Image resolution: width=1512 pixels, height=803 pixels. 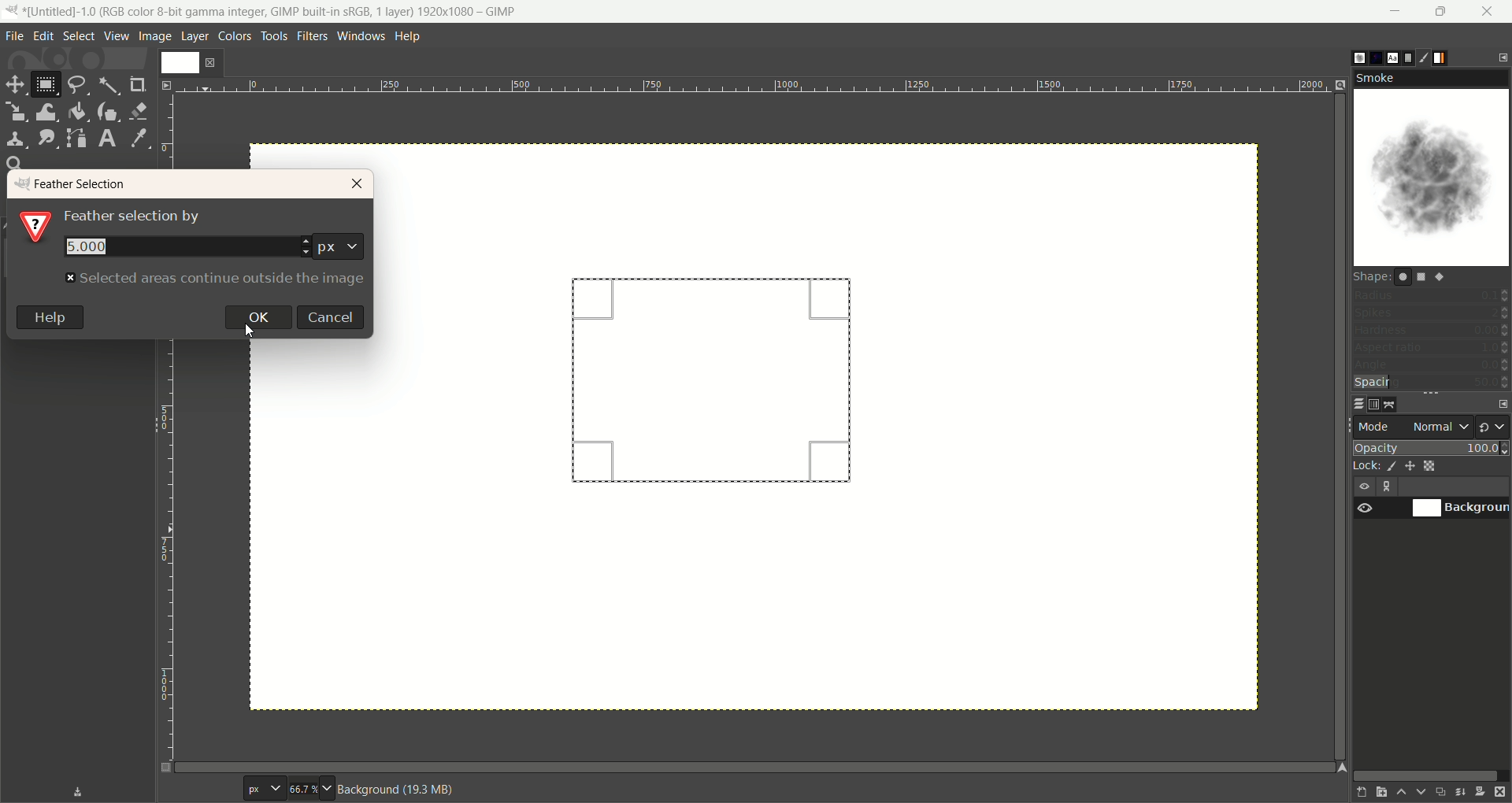 I want to click on pattern, so click(x=1373, y=57).